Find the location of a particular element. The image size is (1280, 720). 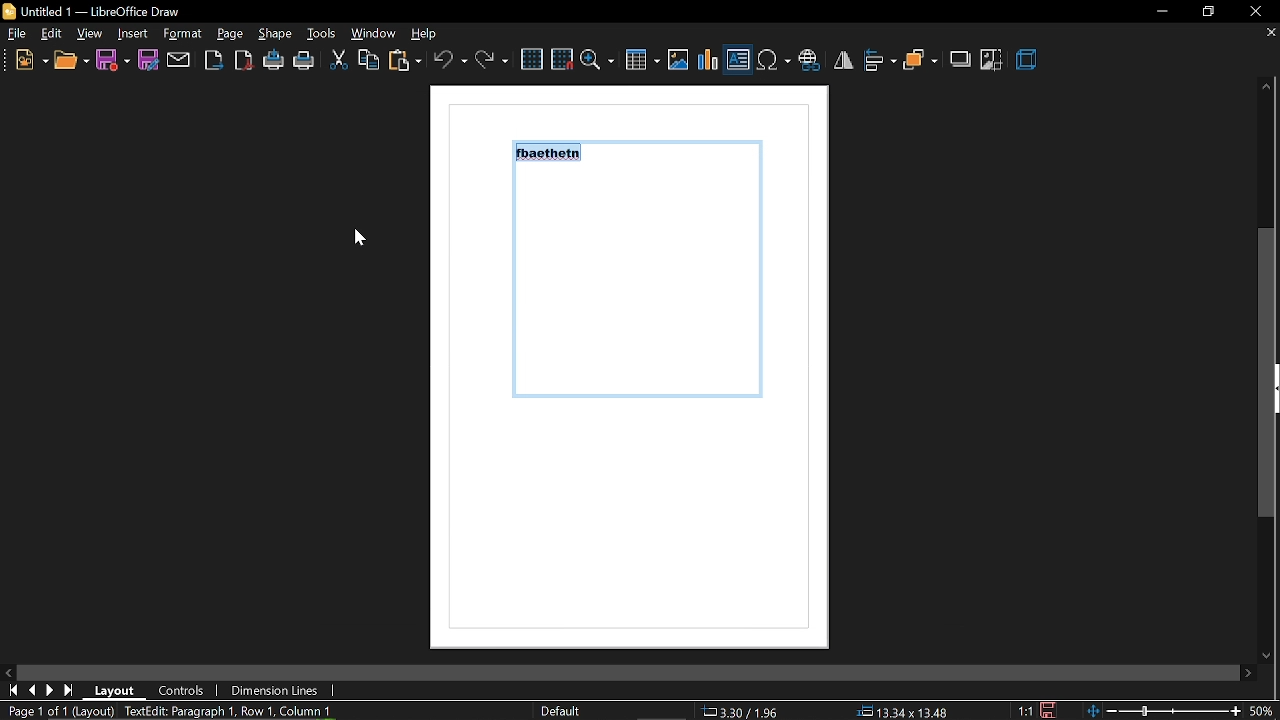

window is located at coordinates (375, 33).